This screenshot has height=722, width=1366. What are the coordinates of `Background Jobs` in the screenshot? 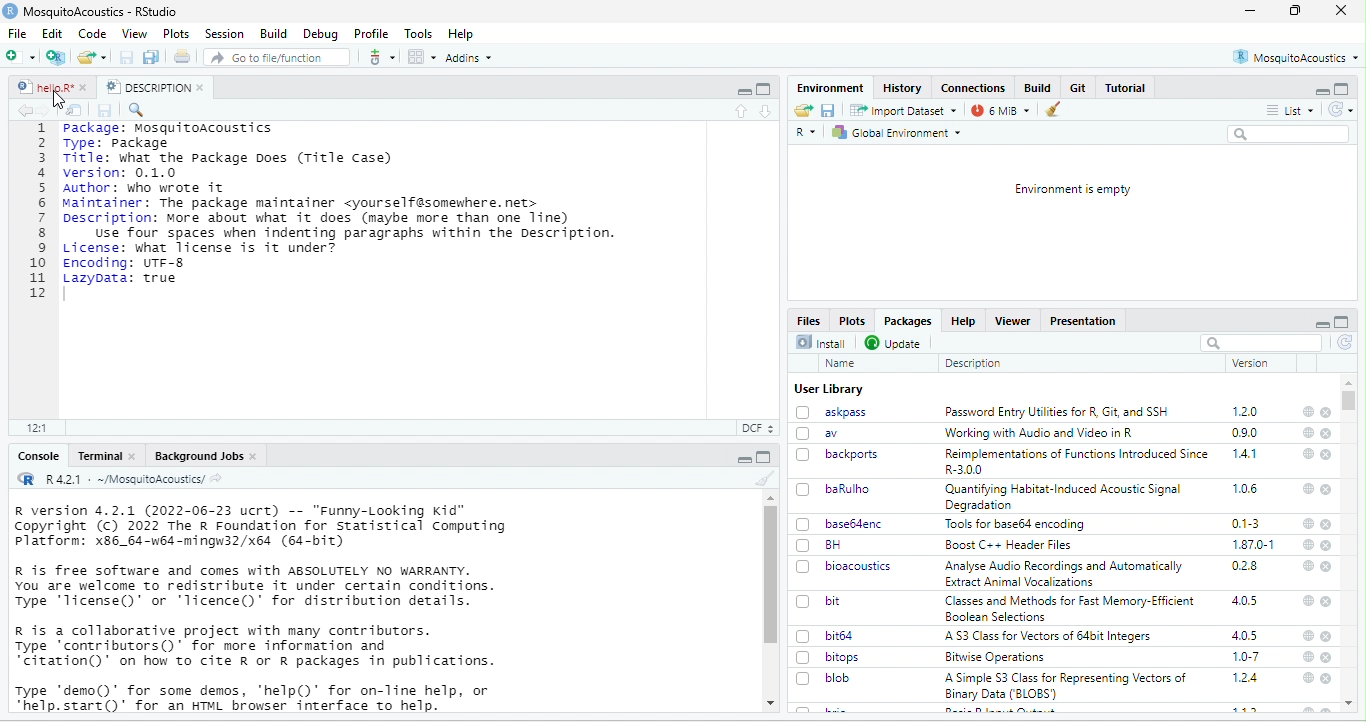 It's located at (204, 455).